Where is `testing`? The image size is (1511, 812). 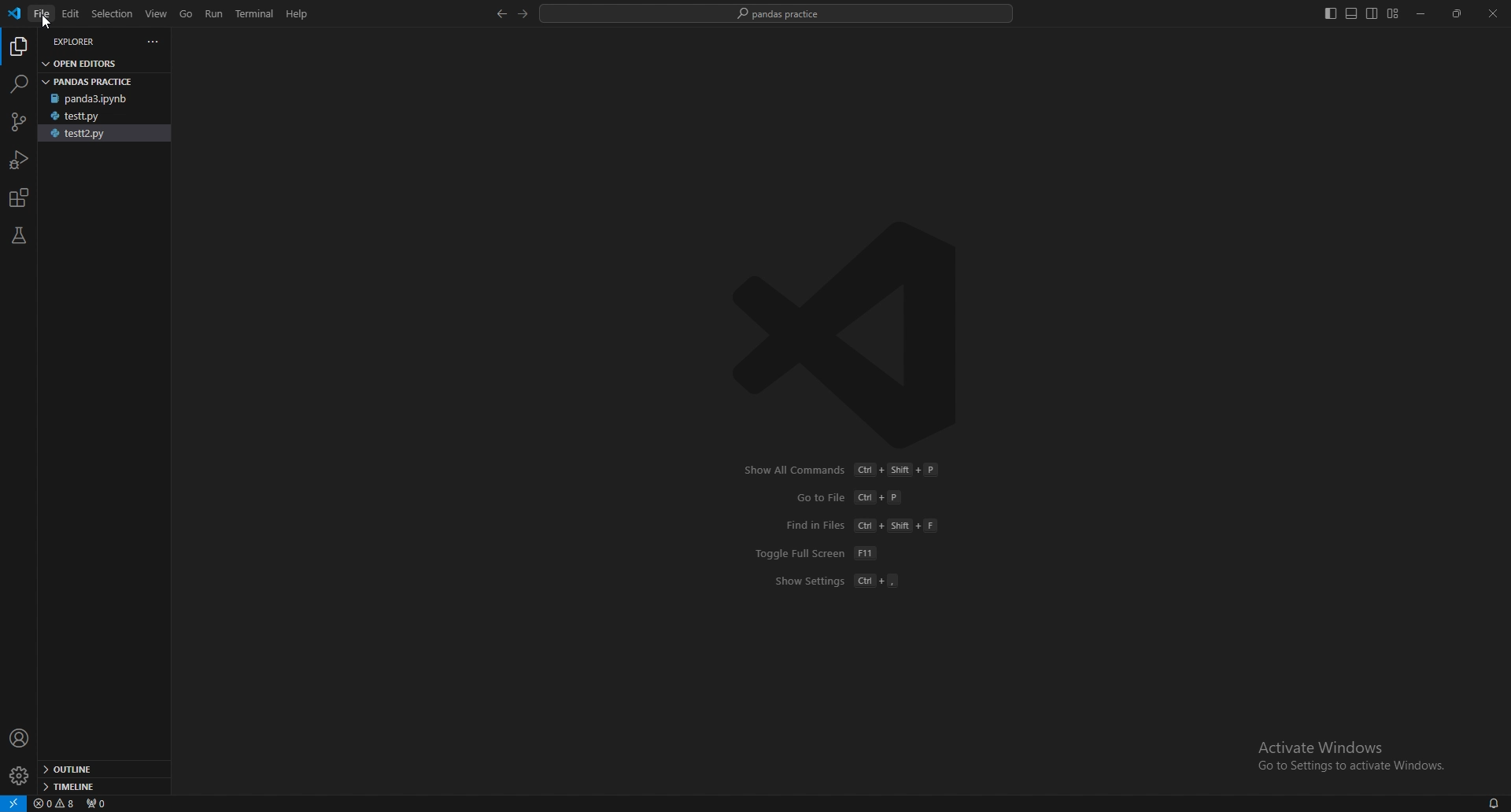
testing is located at coordinates (19, 235).